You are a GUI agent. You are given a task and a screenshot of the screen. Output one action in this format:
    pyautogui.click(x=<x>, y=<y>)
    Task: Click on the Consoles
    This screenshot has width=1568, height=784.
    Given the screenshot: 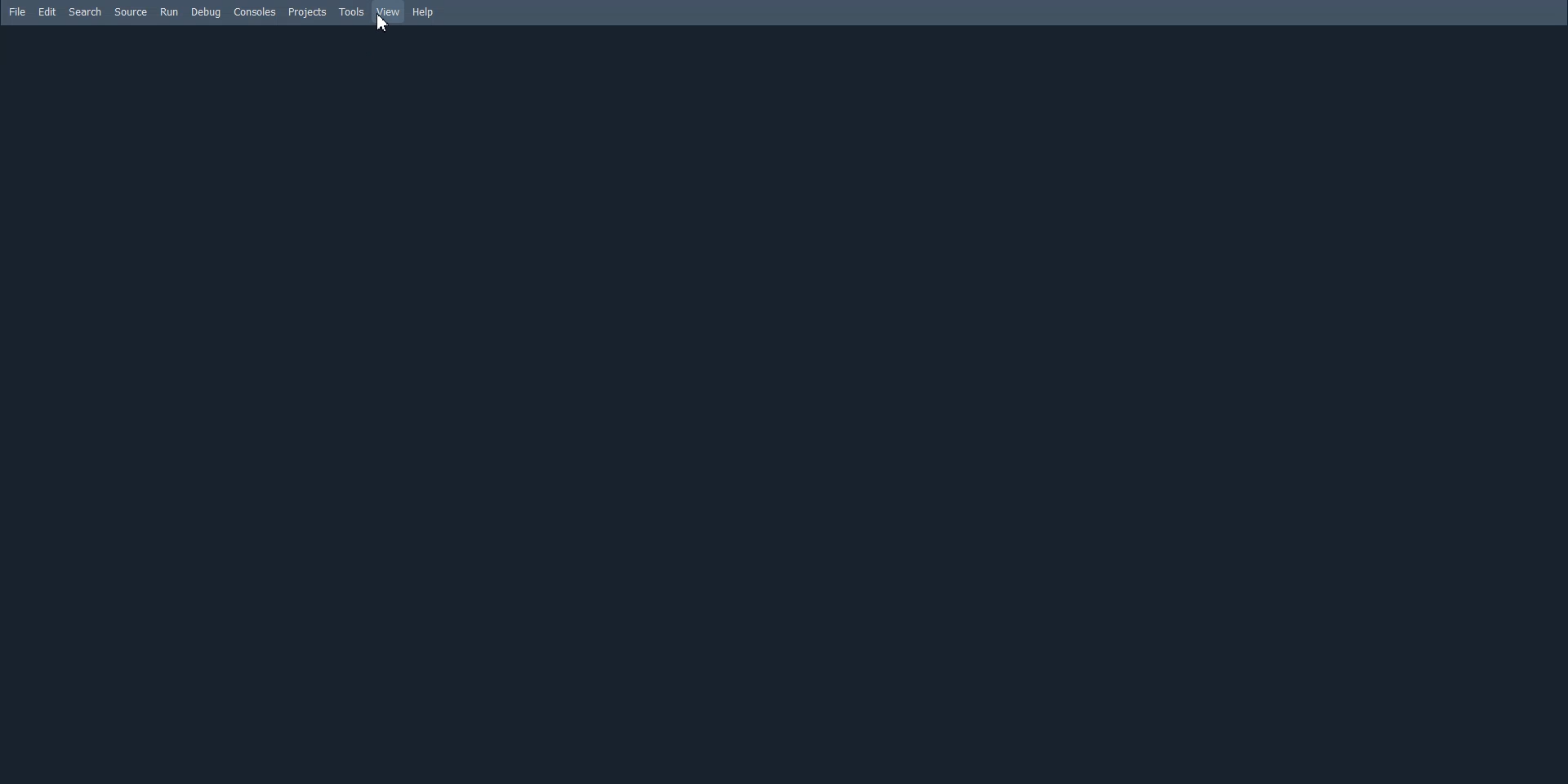 What is the action you would take?
    pyautogui.click(x=256, y=11)
    